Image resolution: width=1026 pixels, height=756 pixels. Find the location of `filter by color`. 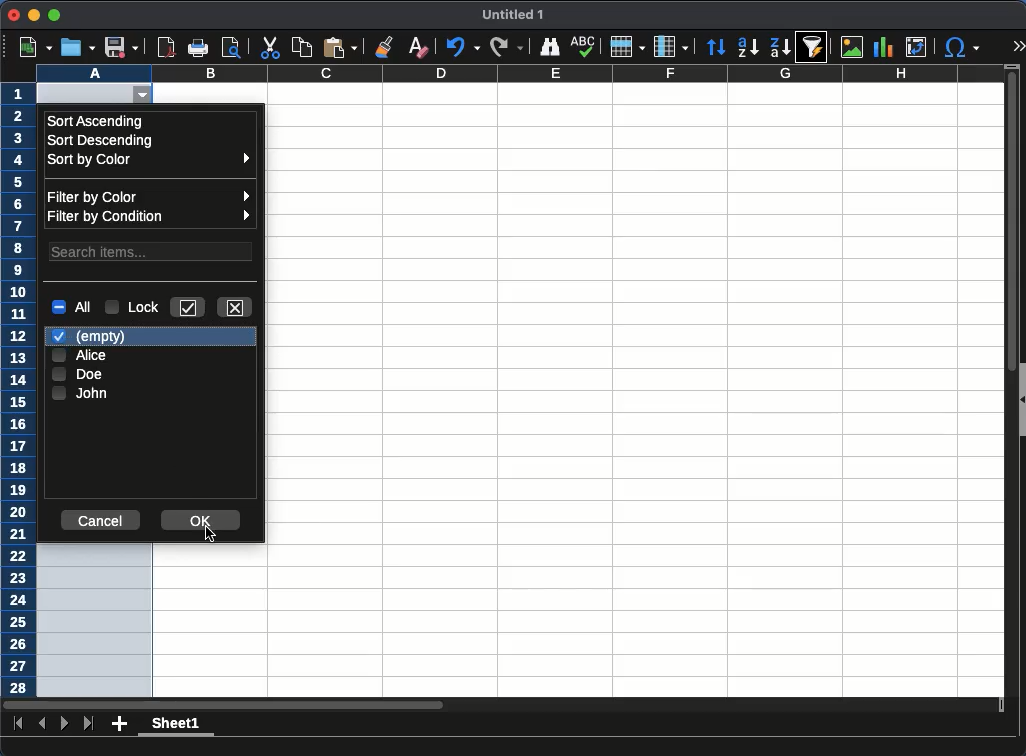

filter by color is located at coordinates (149, 196).